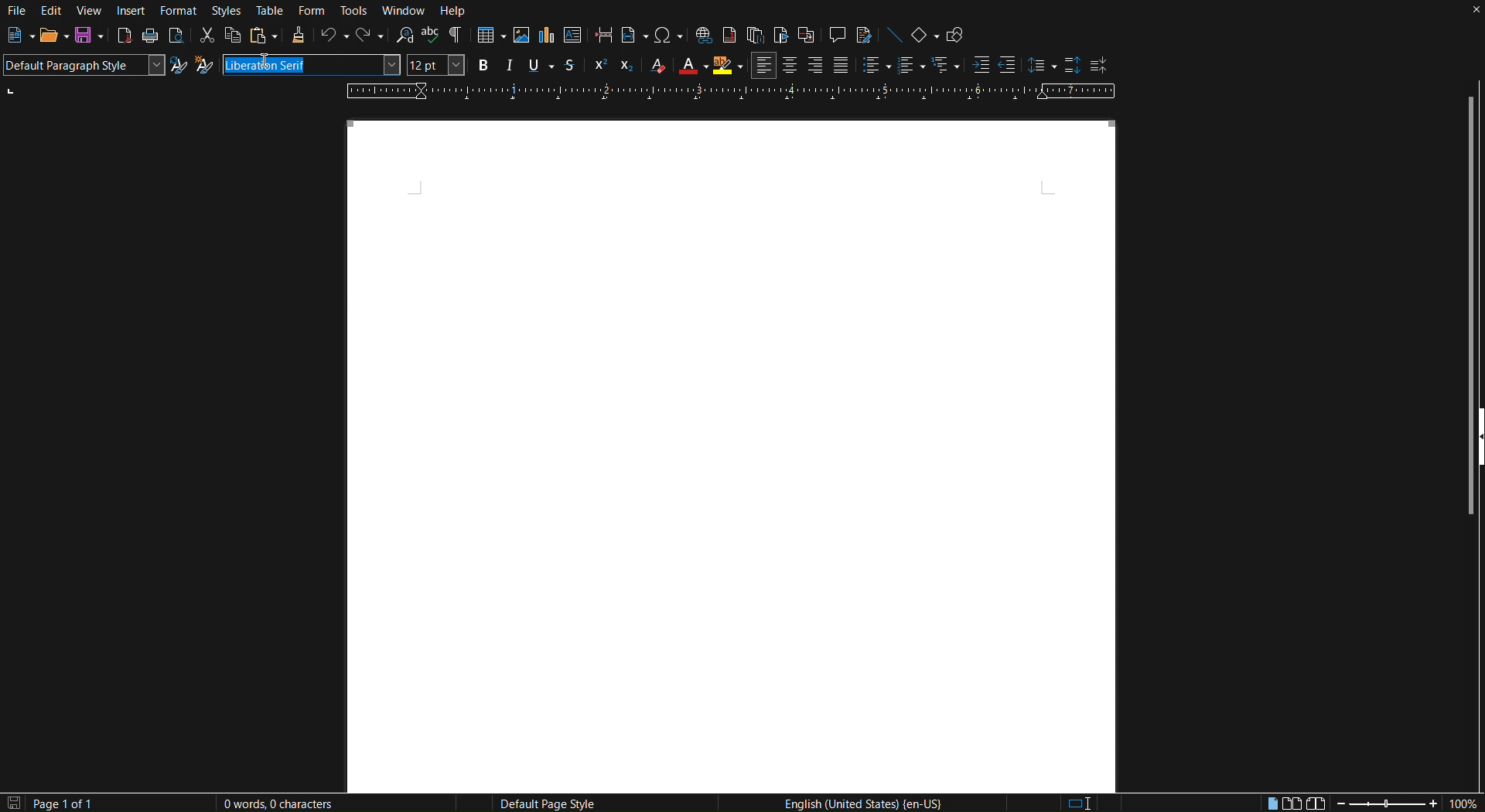  I want to click on Bold, so click(482, 65).